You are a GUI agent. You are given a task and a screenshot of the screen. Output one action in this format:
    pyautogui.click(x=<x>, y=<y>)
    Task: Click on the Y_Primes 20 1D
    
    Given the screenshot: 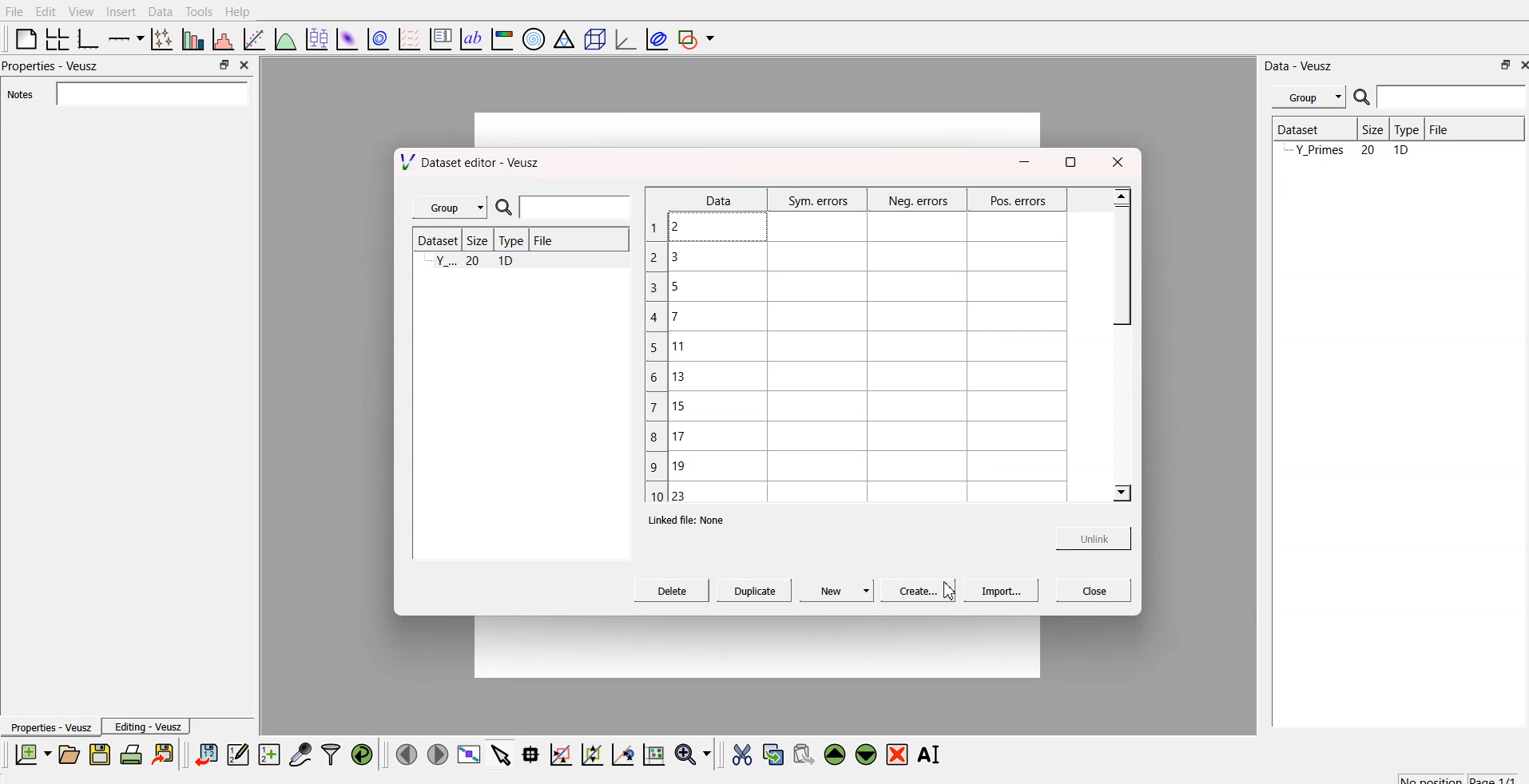 What is the action you would take?
    pyautogui.click(x=1344, y=151)
    